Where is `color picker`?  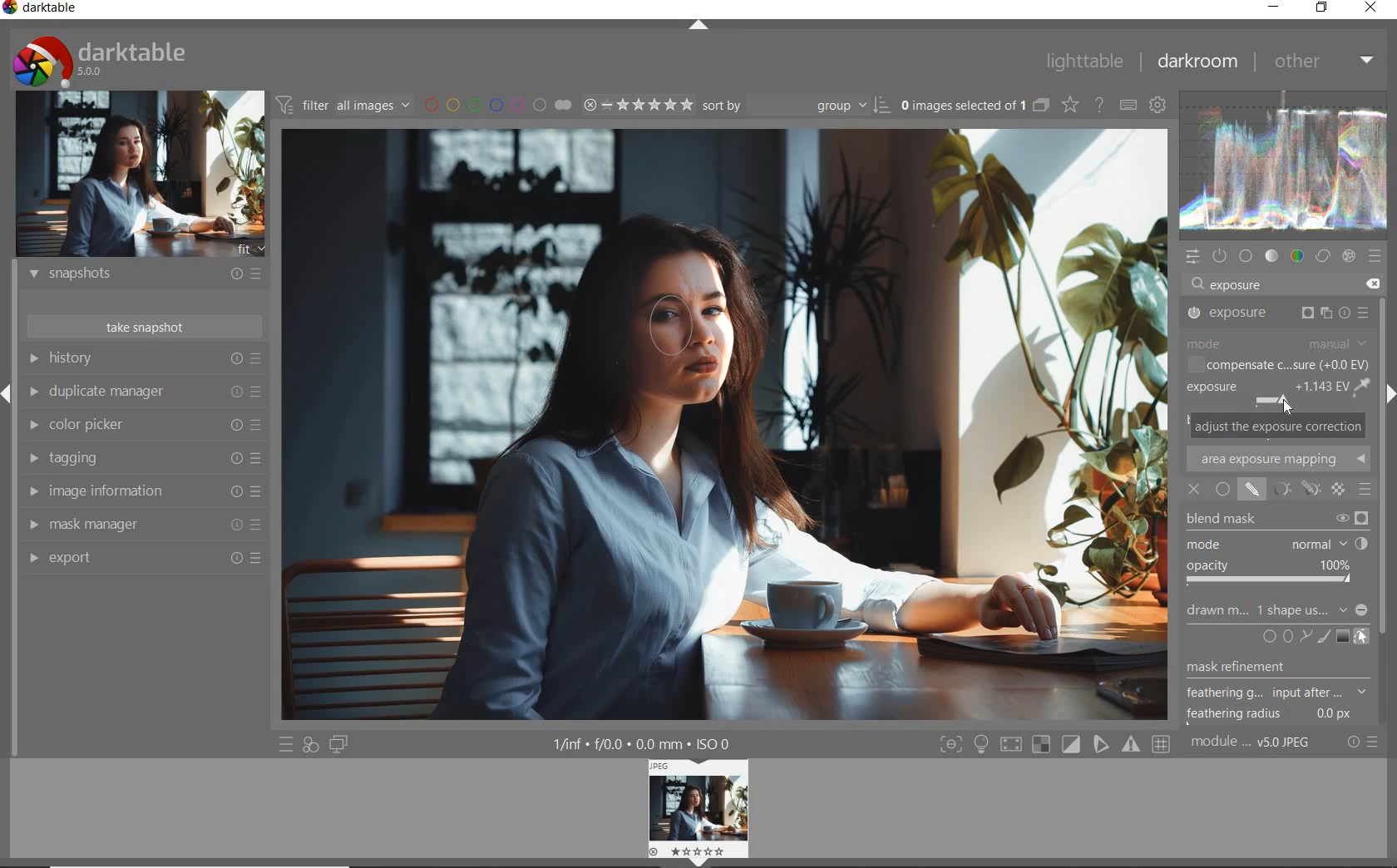 color picker is located at coordinates (146, 425).